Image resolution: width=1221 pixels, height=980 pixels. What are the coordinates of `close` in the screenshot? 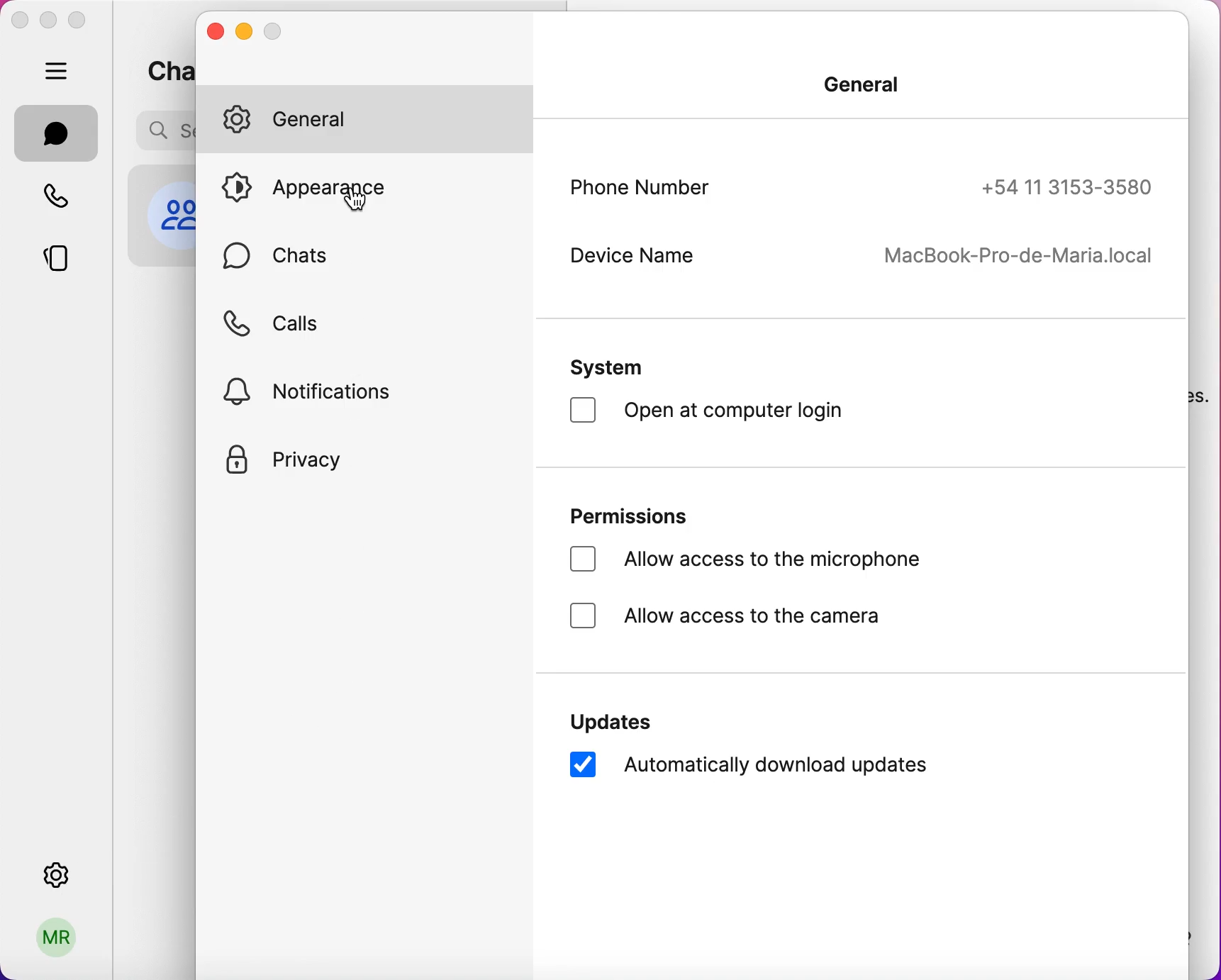 It's located at (213, 31).